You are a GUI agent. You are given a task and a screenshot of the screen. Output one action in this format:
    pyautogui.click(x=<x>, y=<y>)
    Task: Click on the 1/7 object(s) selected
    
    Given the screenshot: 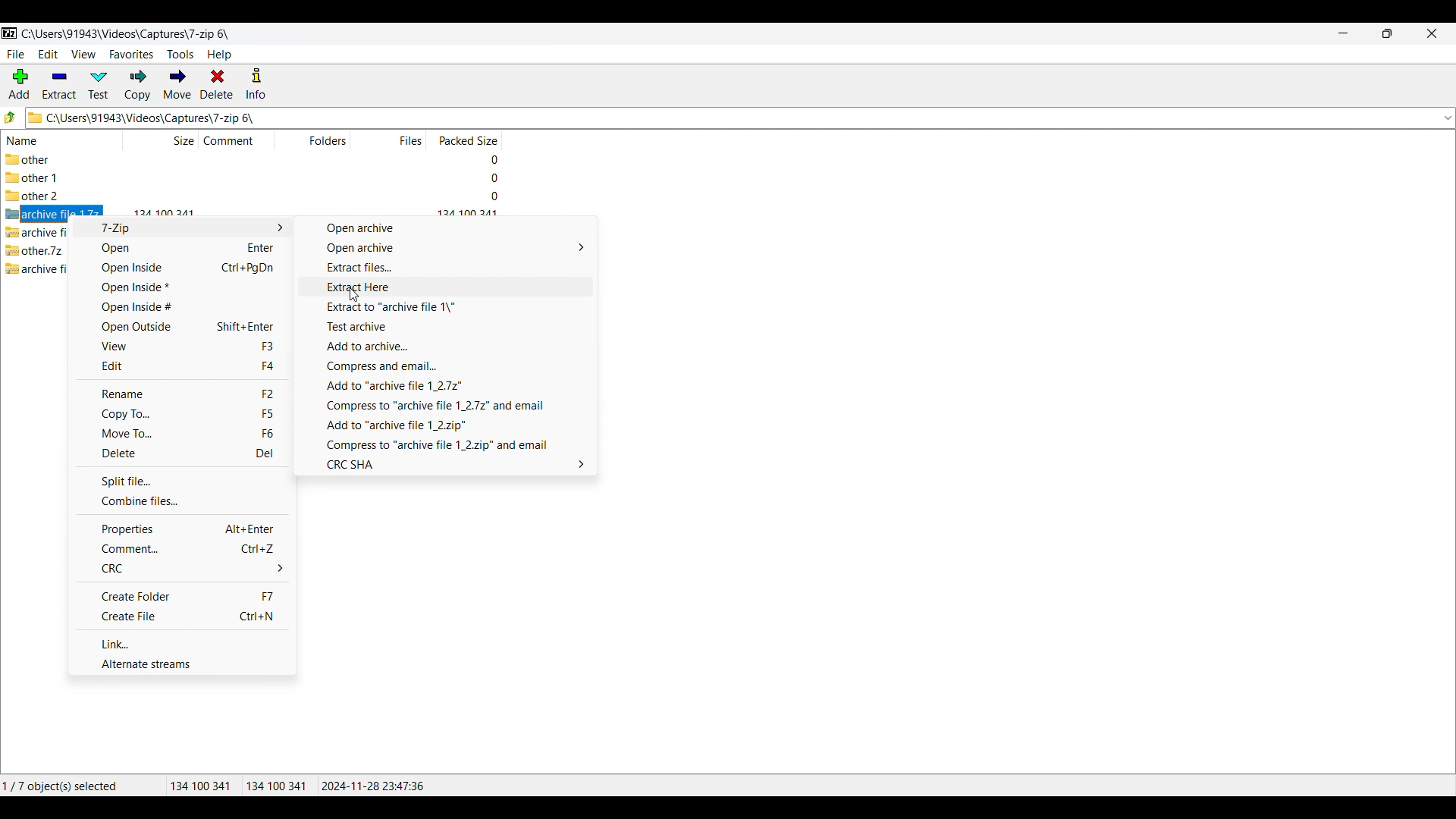 What is the action you would take?
    pyautogui.click(x=71, y=783)
    